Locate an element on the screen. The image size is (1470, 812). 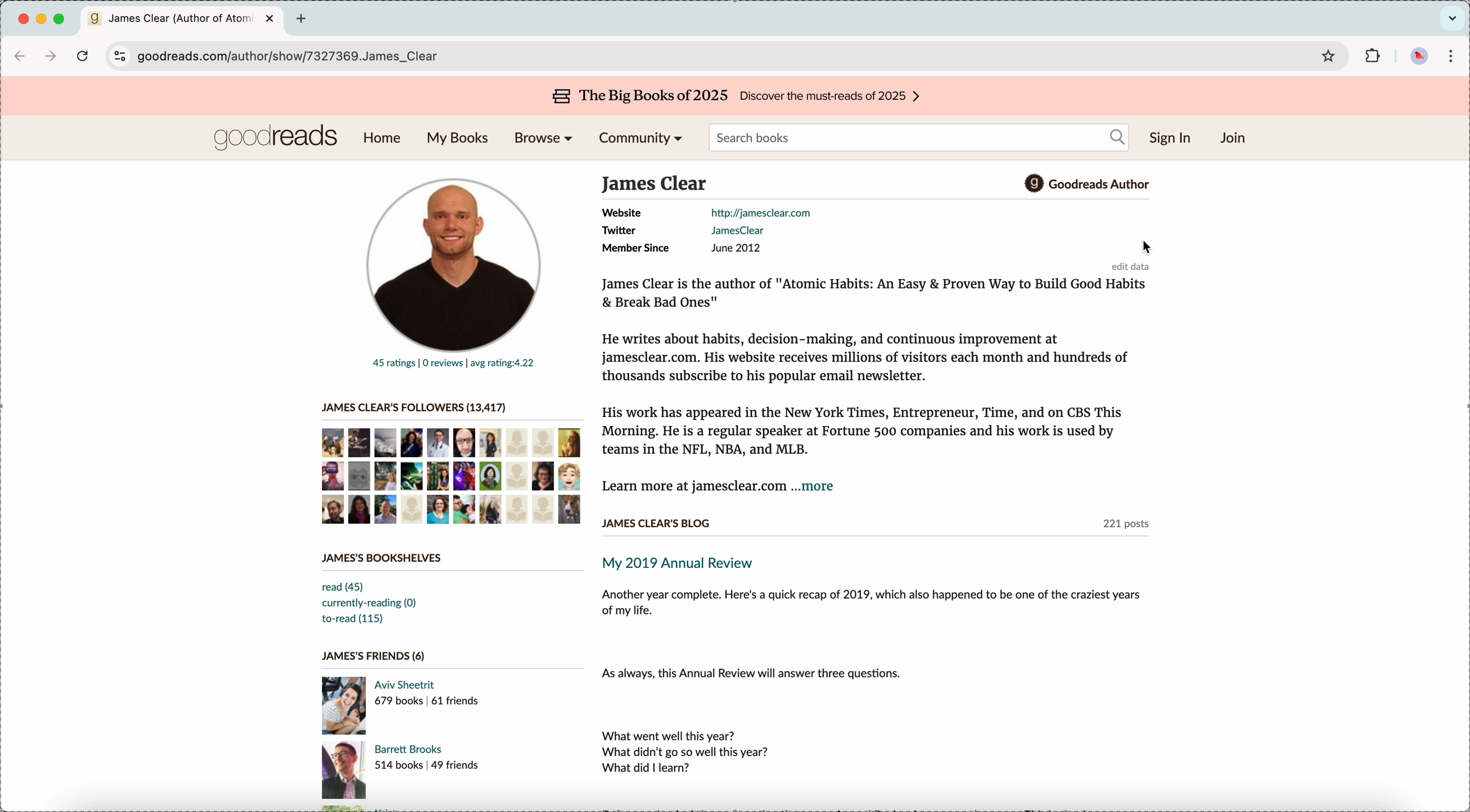
currently-reading (0) is located at coordinates (370, 604).